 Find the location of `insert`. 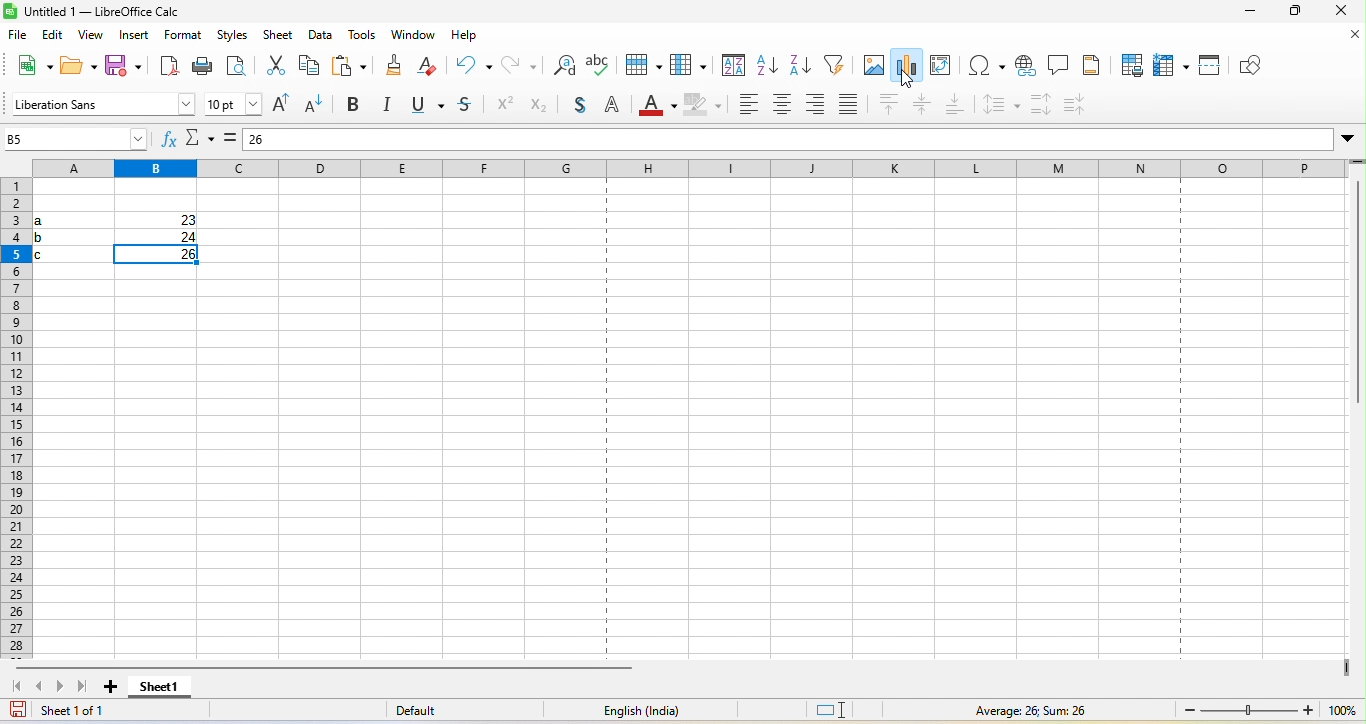

insert is located at coordinates (134, 36).